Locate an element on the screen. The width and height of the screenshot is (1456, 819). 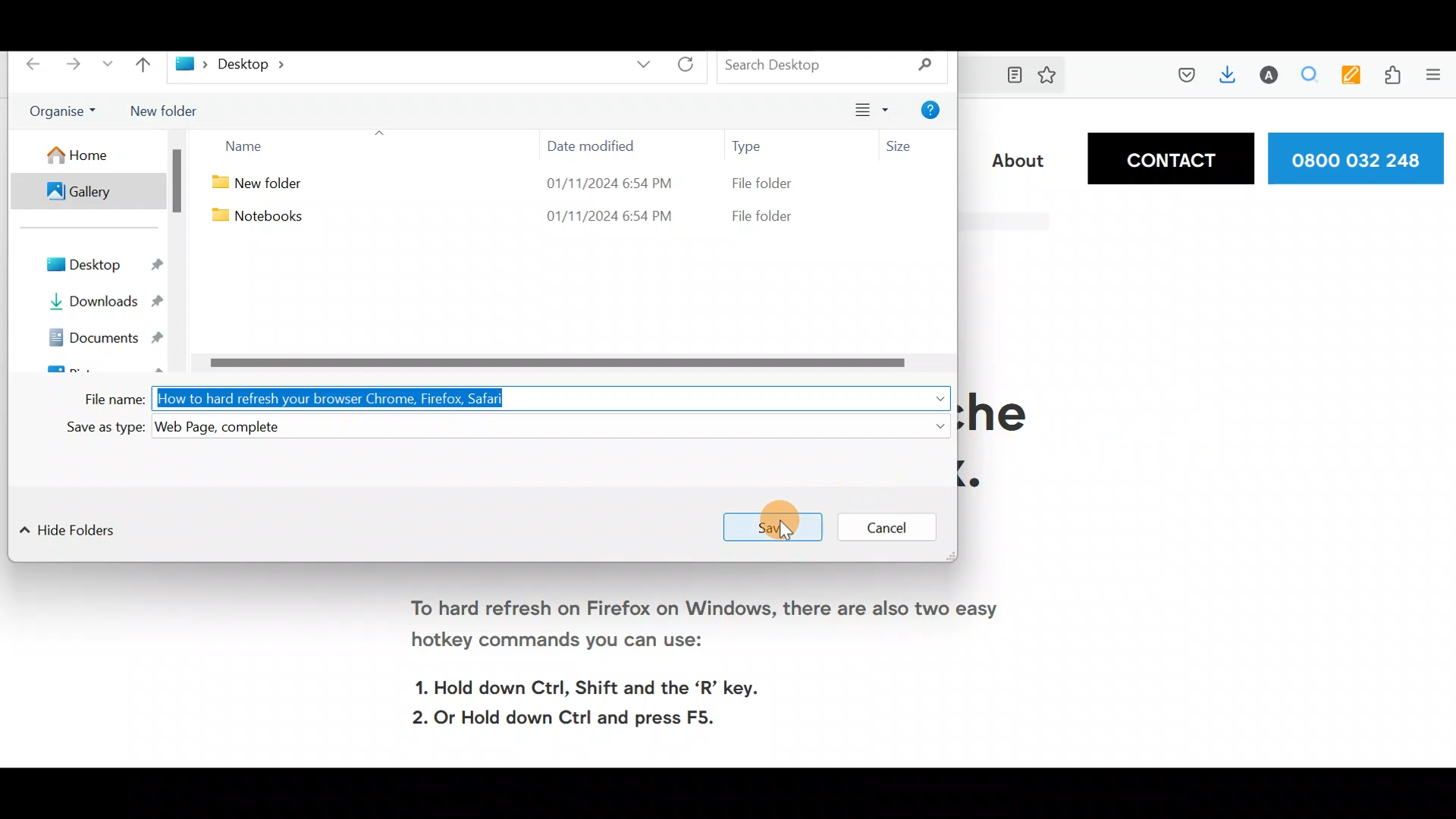
Desktop is located at coordinates (244, 65).